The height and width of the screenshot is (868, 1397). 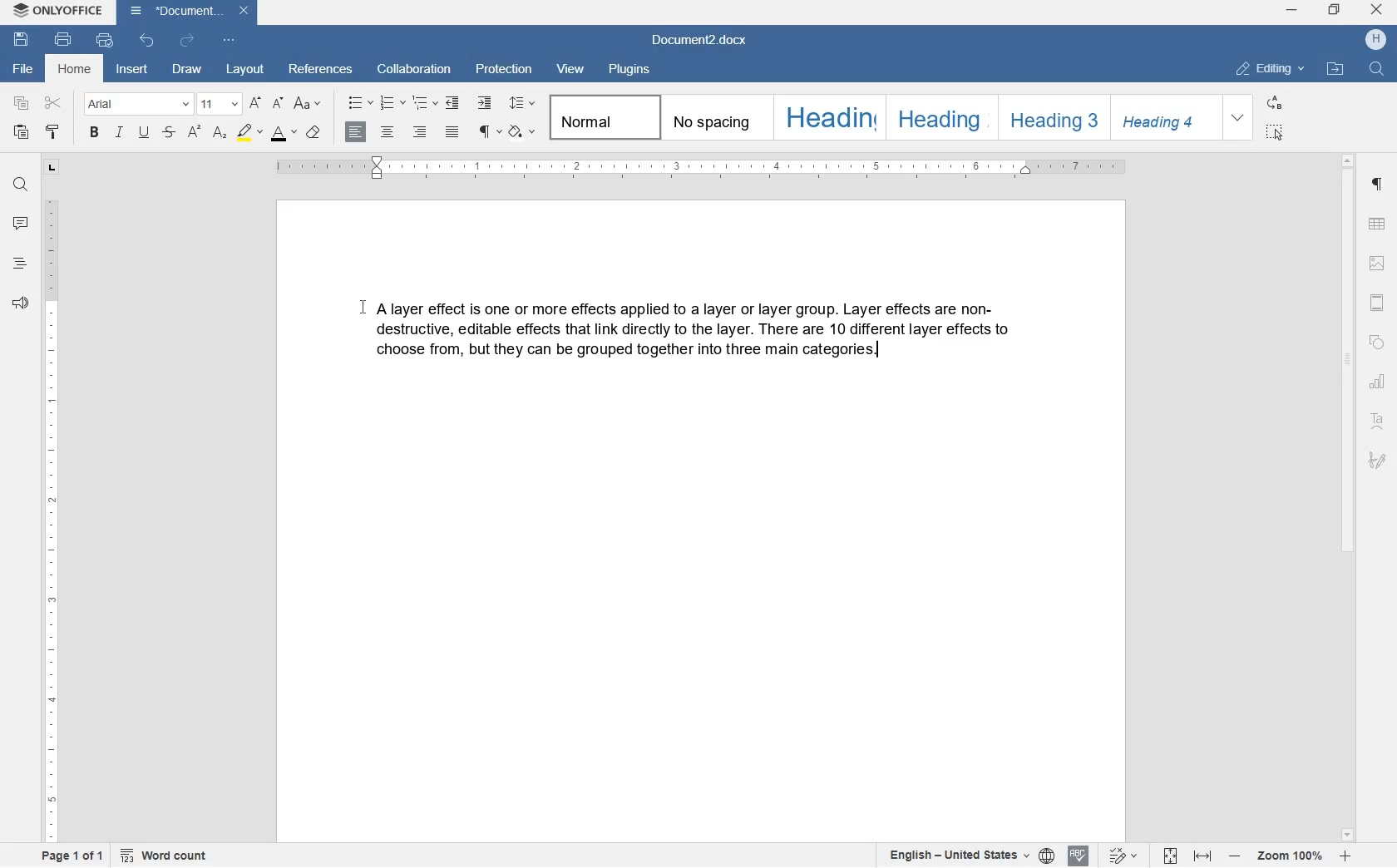 What do you see at coordinates (57, 12) in the screenshot?
I see `system name` at bounding box center [57, 12].